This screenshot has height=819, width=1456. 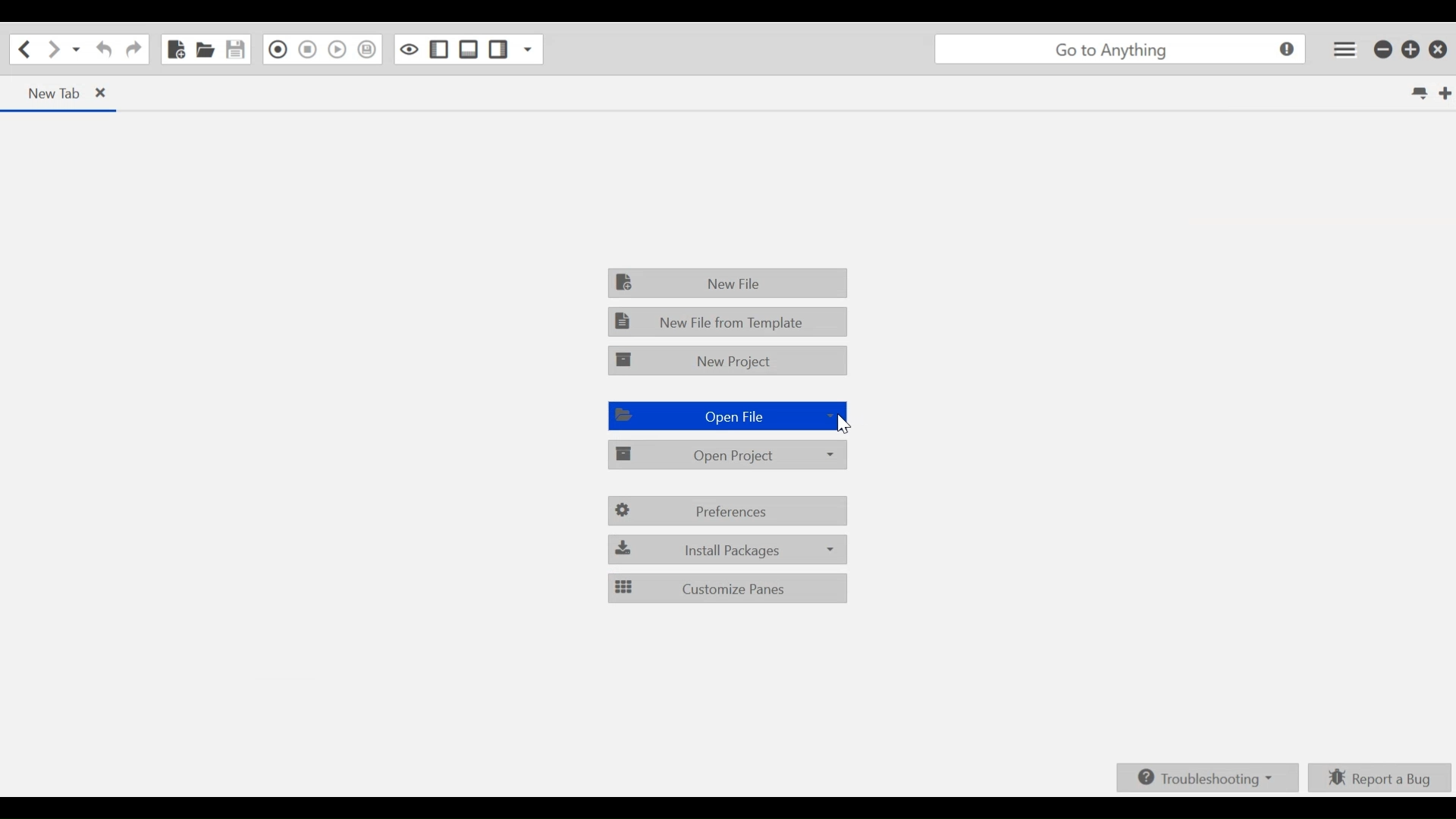 What do you see at coordinates (726, 510) in the screenshot?
I see `Preferences` at bounding box center [726, 510].